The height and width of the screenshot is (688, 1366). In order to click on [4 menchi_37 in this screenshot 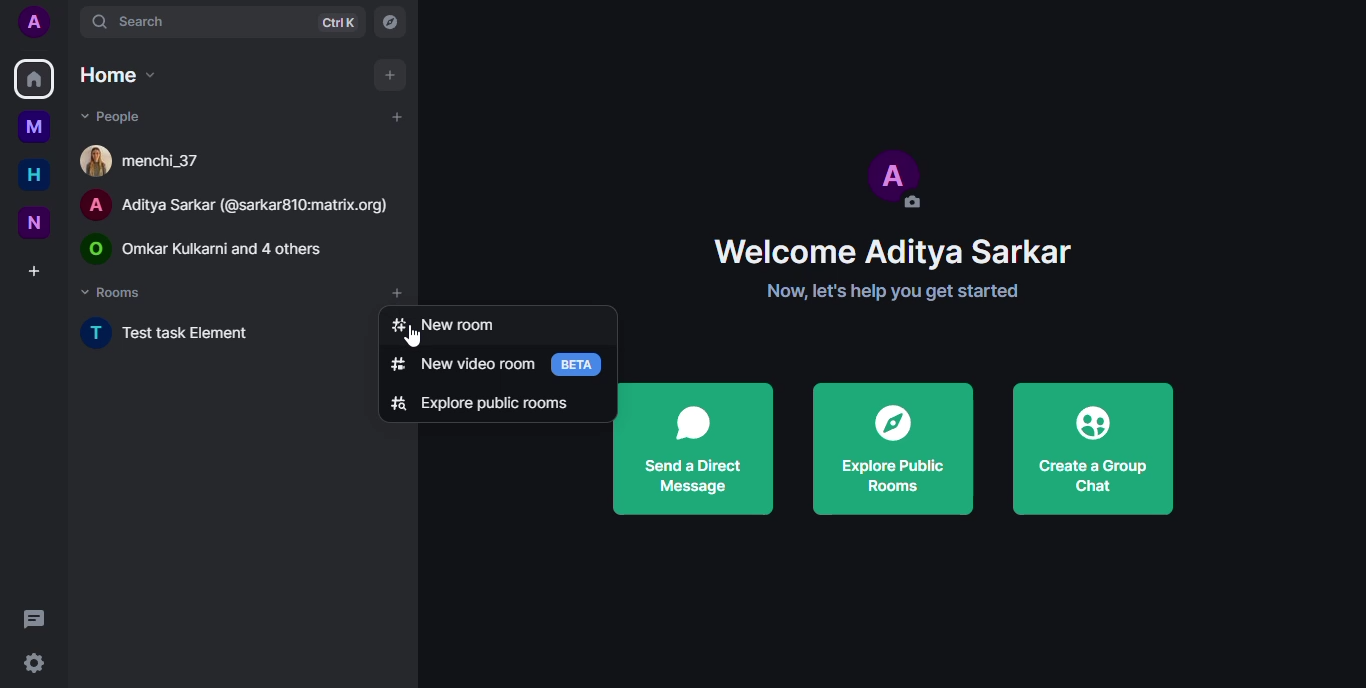, I will do `click(148, 159)`.